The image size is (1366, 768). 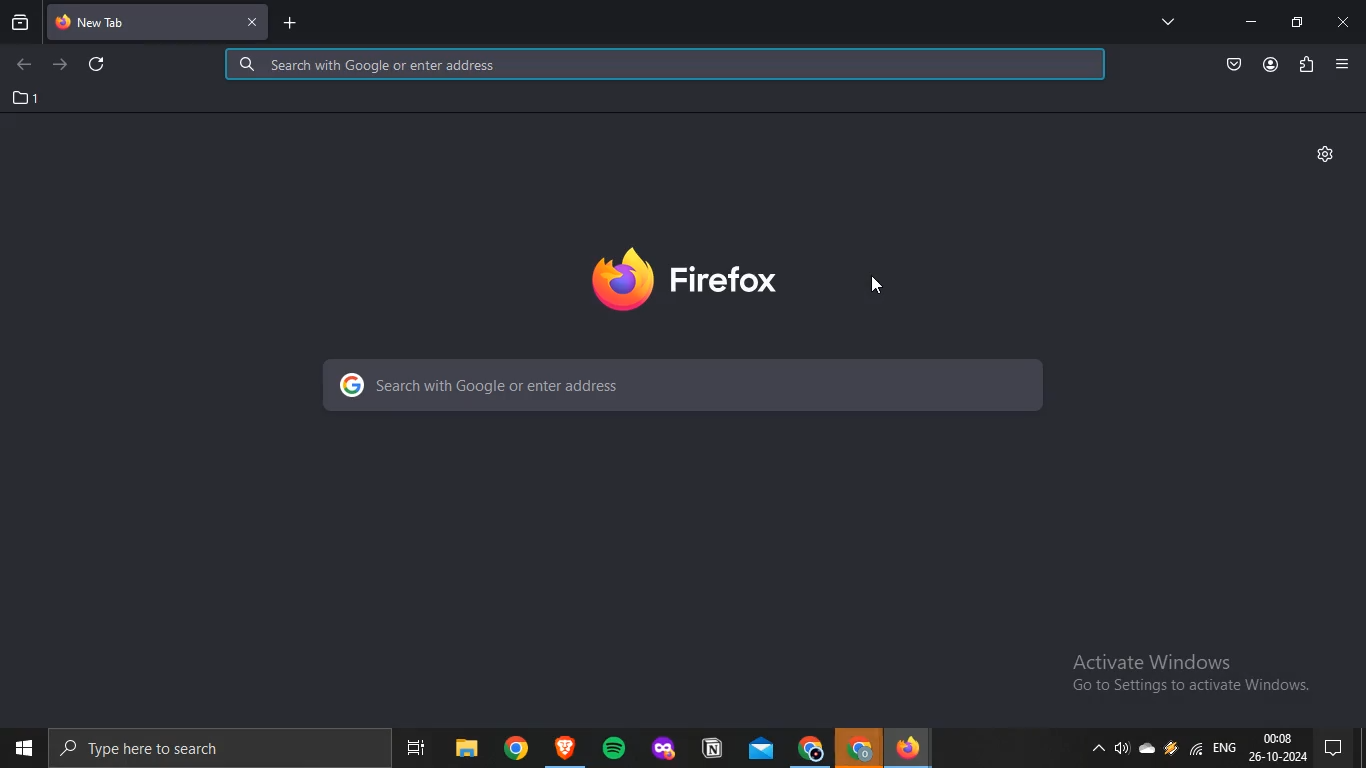 What do you see at coordinates (661, 744) in the screenshot?
I see `app icon` at bounding box center [661, 744].